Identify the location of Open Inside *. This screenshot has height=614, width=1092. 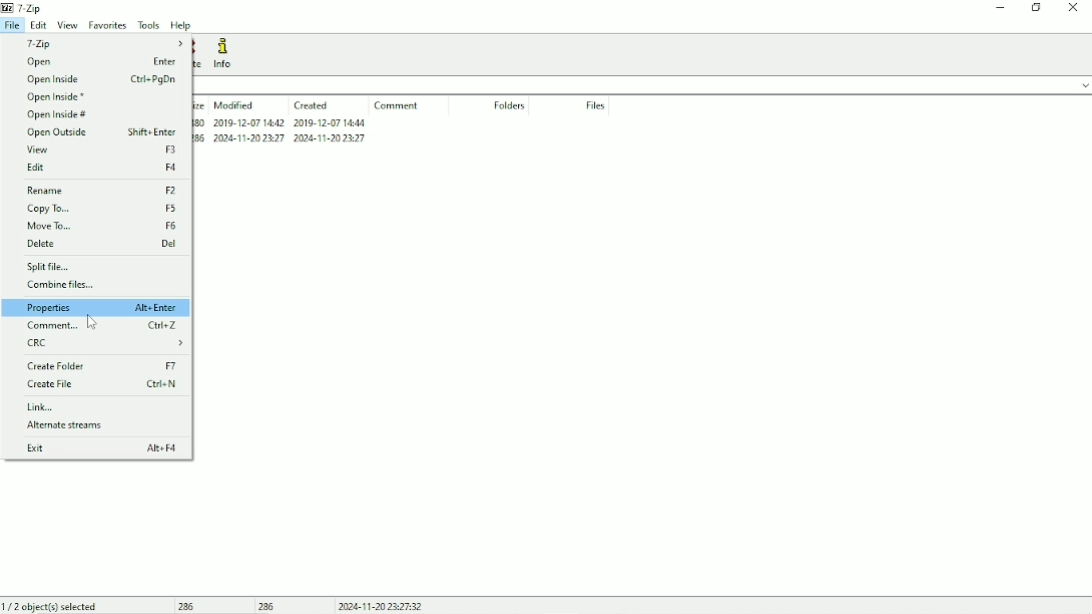
(60, 97).